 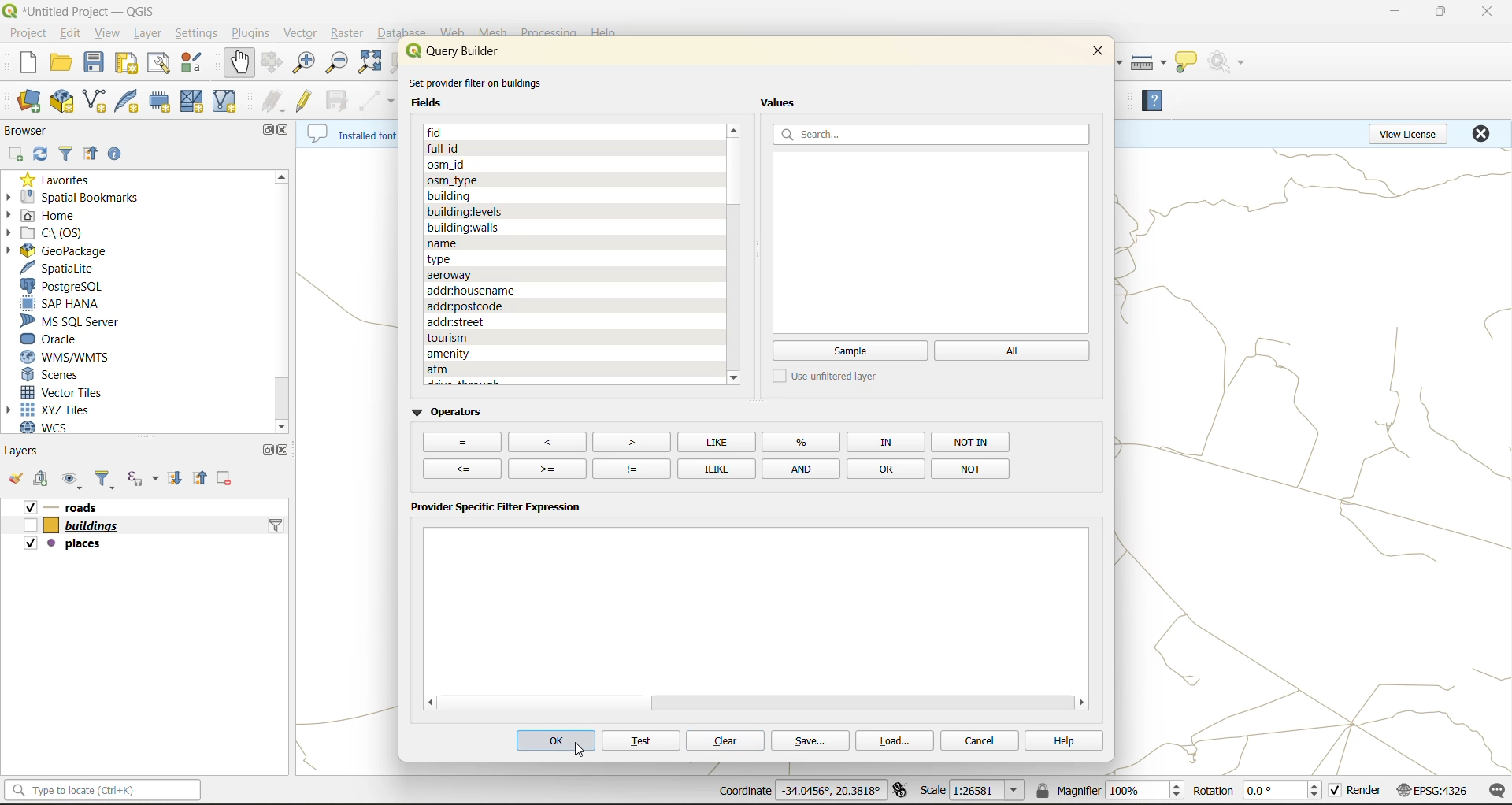 I want to click on ok, so click(x=553, y=743).